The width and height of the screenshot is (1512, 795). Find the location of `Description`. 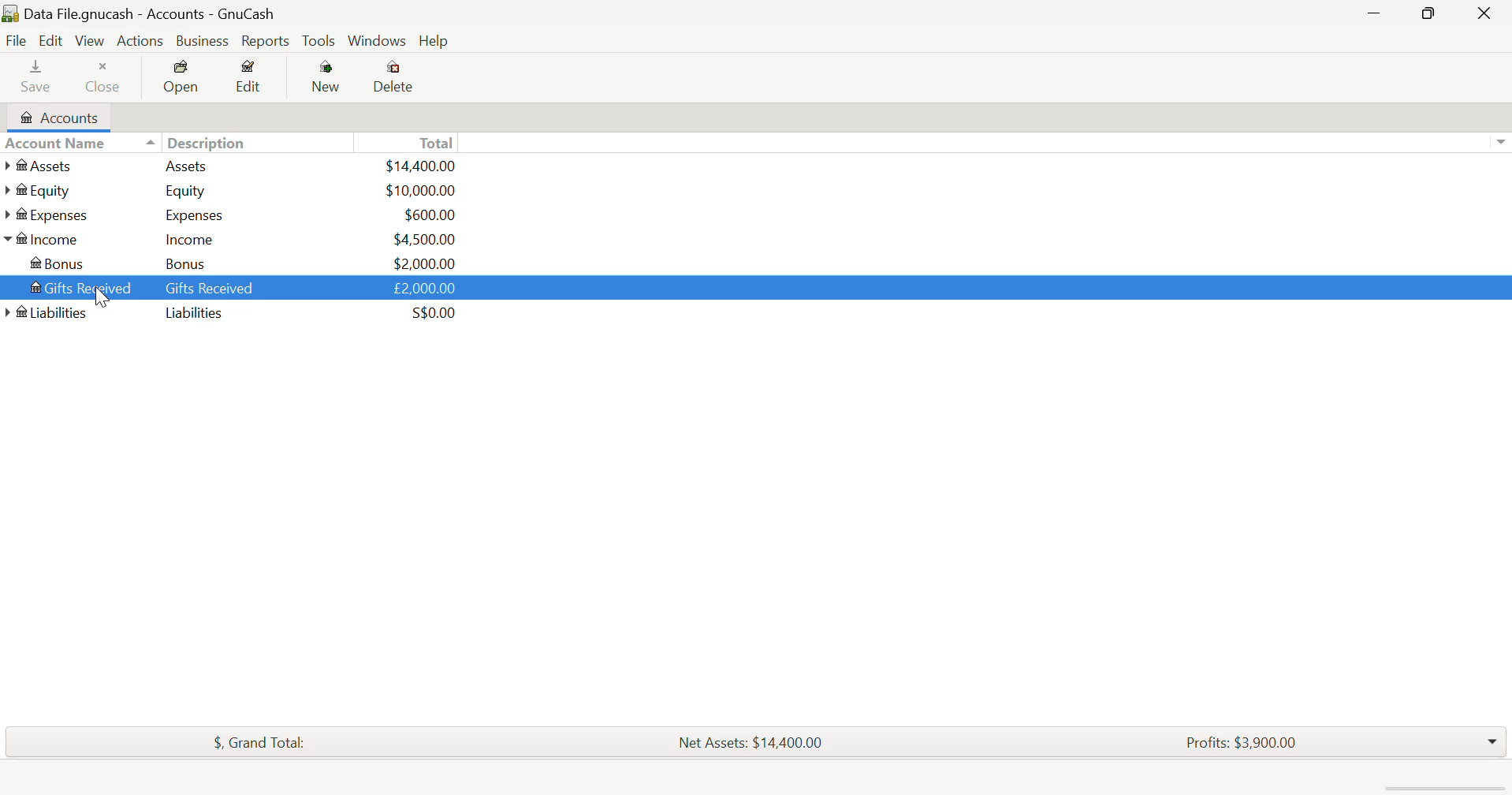

Description is located at coordinates (196, 141).